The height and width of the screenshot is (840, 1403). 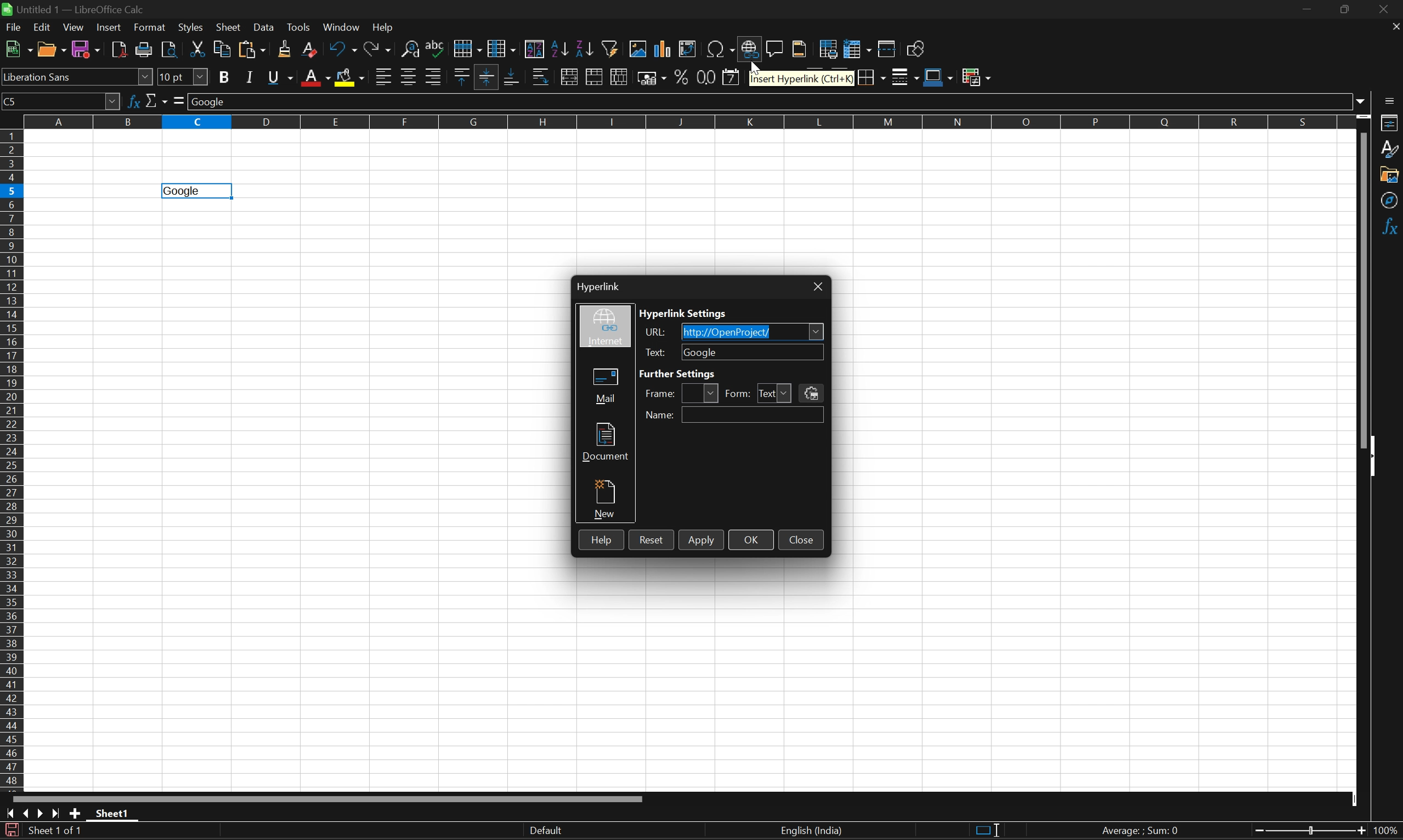 What do you see at coordinates (54, 816) in the screenshot?
I see `Scroll to last sheet` at bounding box center [54, 816].